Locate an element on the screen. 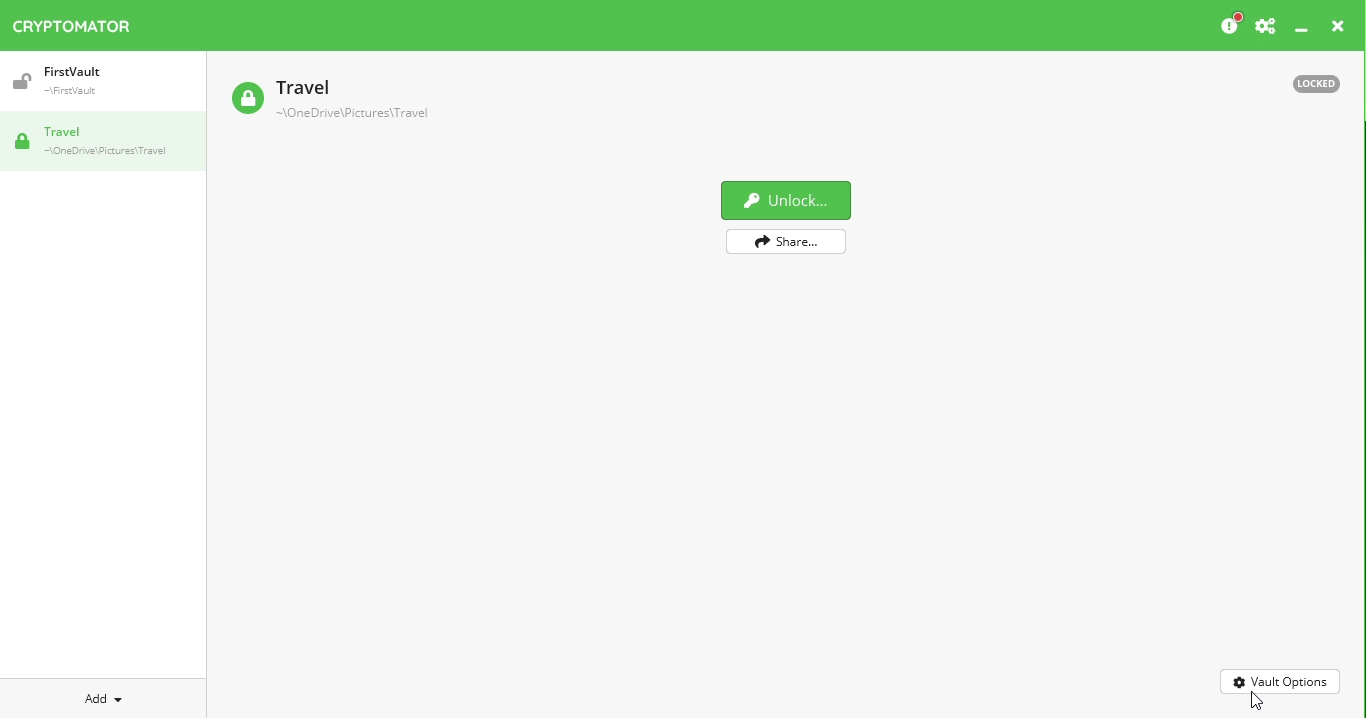 This screenshot has width=1366, height=718. Vault options is located at coordinates (1281, 681).